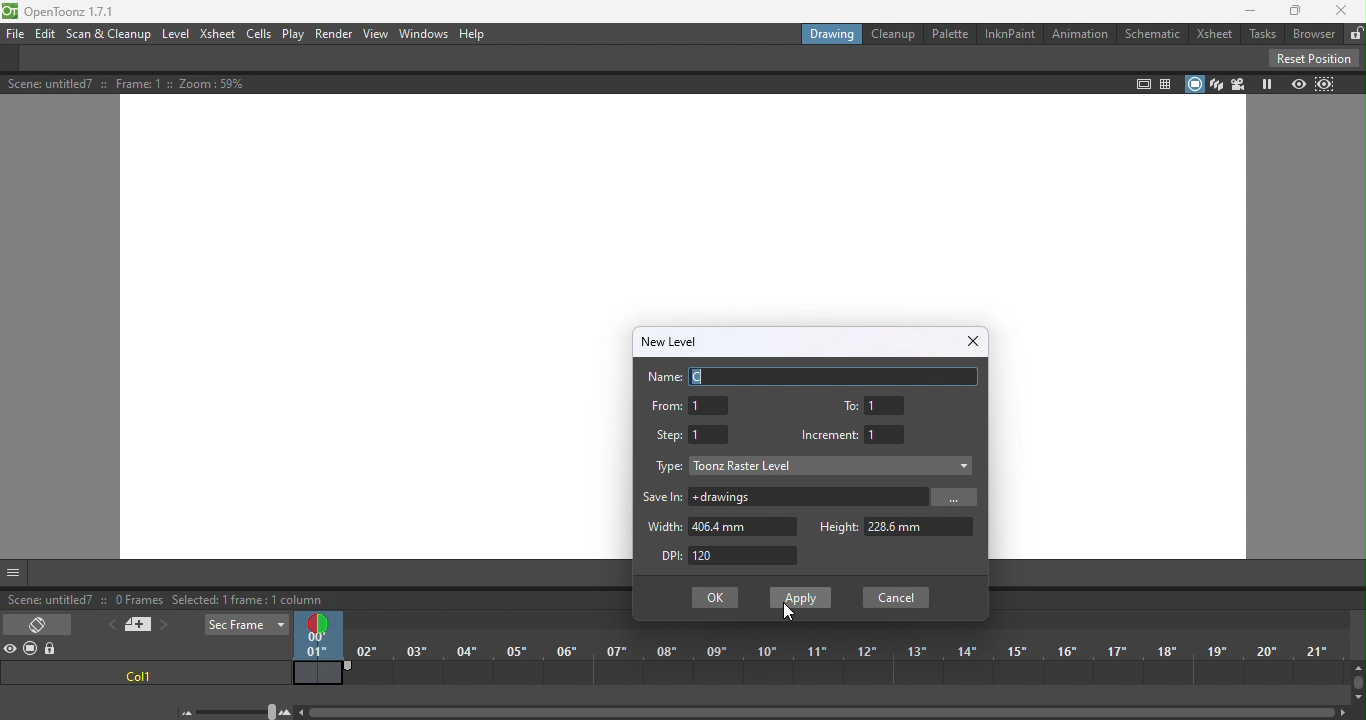 The image size is (1366, 720). What do you see at coordinates (424, 33) in the screenshot?
I see `Window ` at bounding box center [424, 33].